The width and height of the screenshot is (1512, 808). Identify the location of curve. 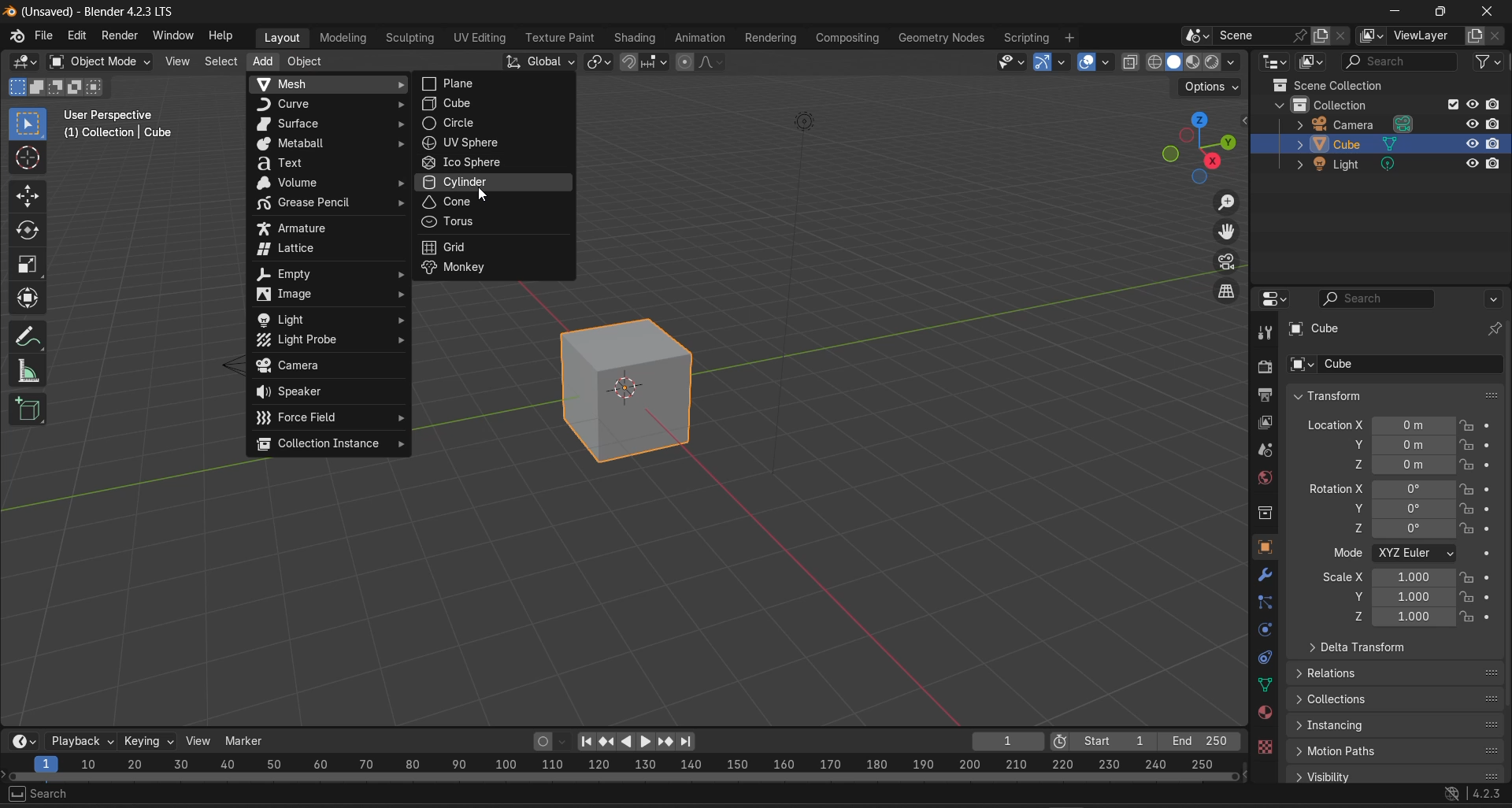
(331, 105).